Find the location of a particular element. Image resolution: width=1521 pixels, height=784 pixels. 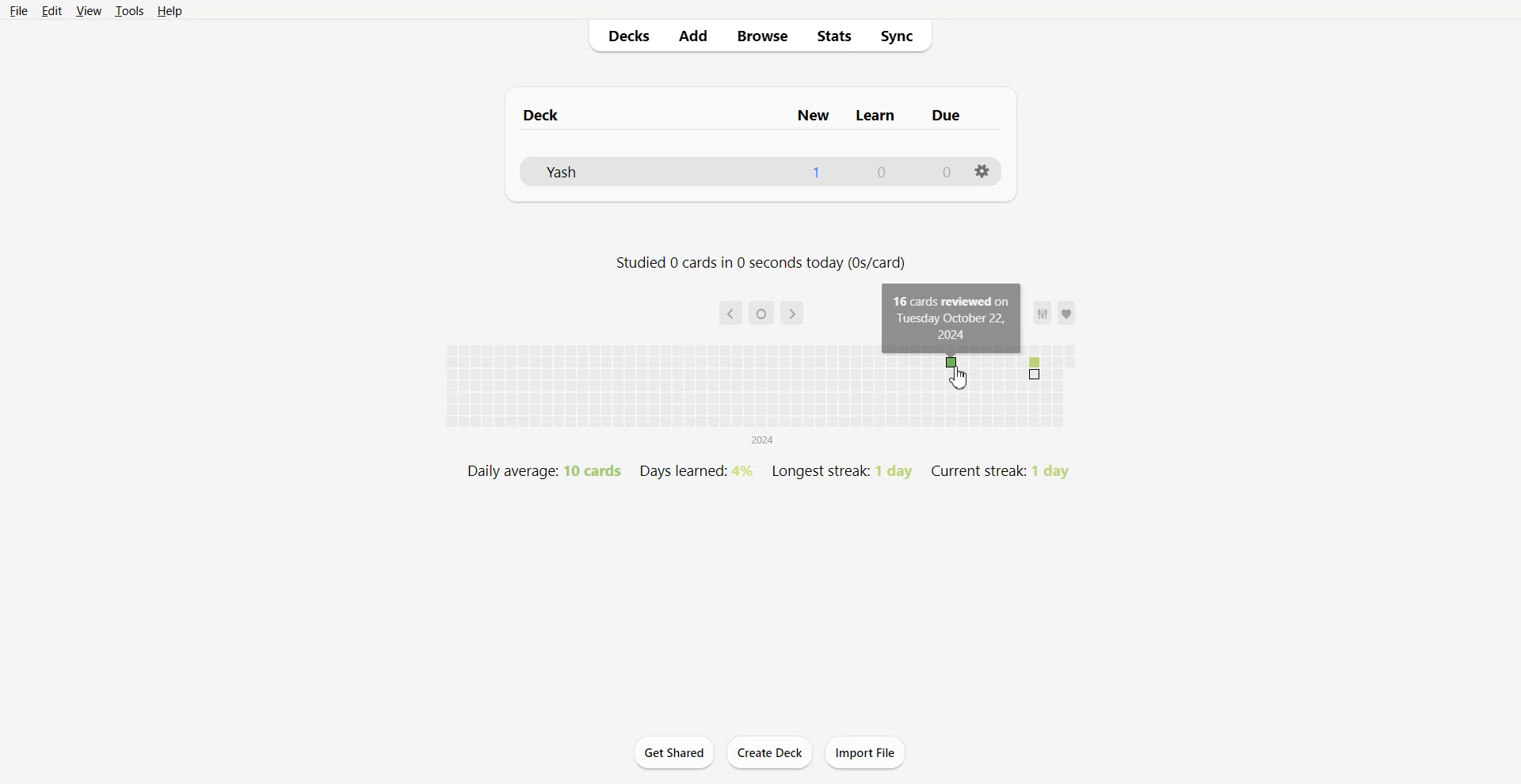

Decks is located at coordinates (623, 36).